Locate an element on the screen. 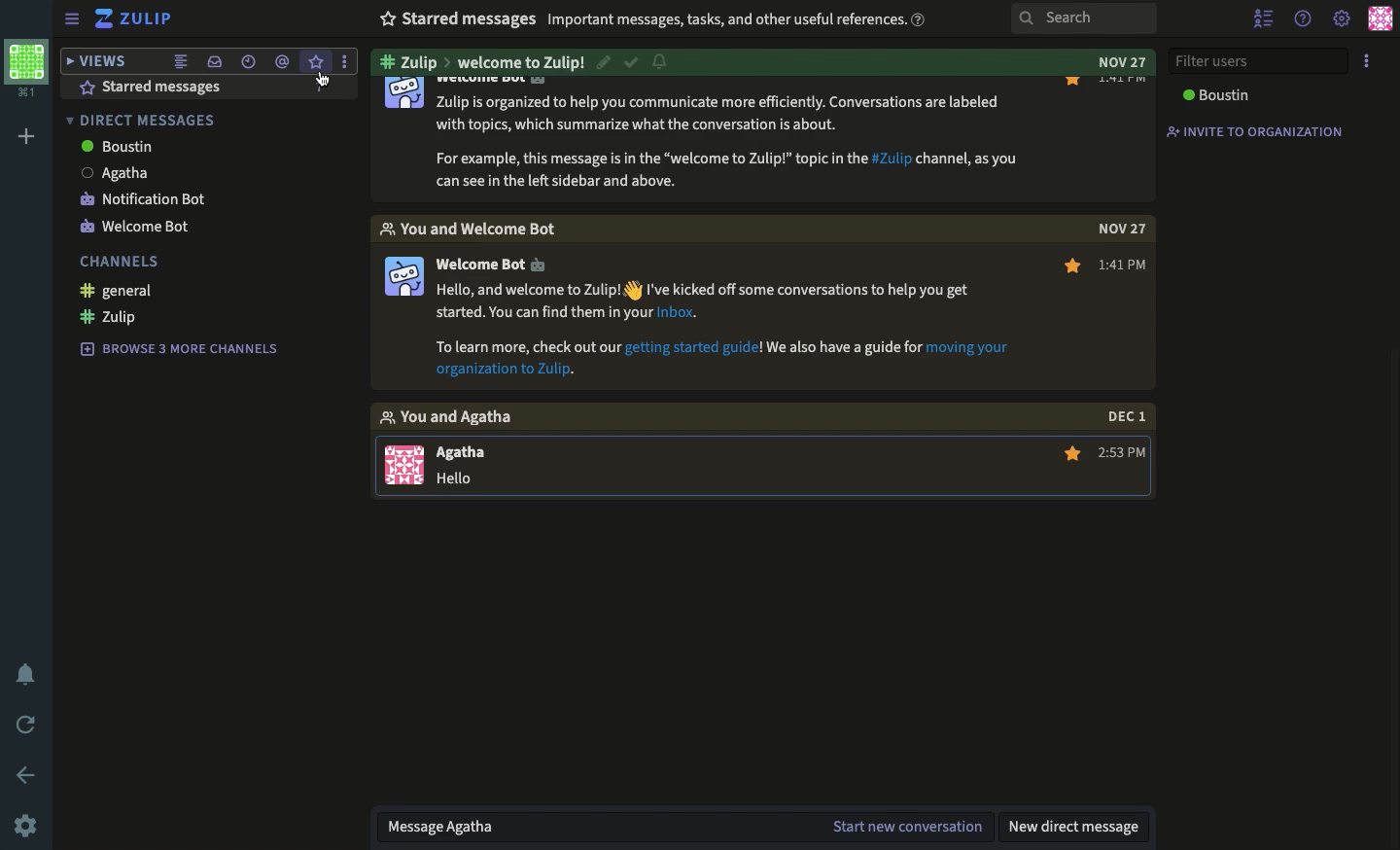 This screenshot has width=1400, height=850.  moving your is located at coordinates (970, 348).